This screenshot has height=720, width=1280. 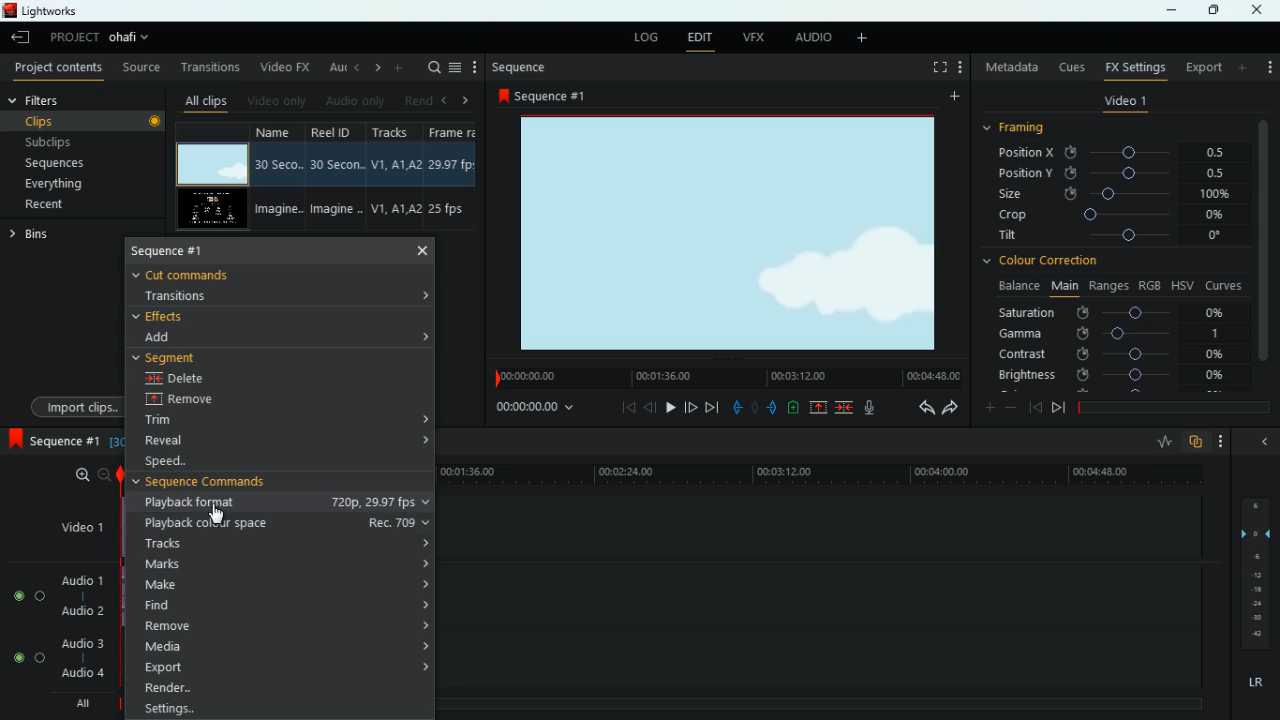 What do you see at coordinates (286, 668) in the screenshot?
I see `export` at bounding box center [286, 668].